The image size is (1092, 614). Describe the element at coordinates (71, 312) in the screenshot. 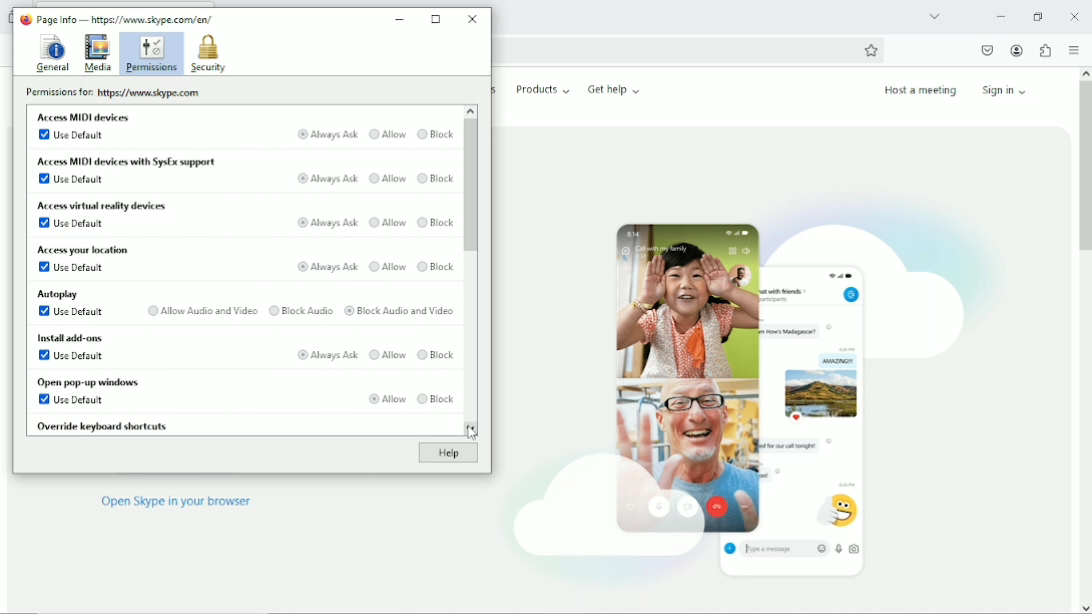

I see `Use default` at that location.